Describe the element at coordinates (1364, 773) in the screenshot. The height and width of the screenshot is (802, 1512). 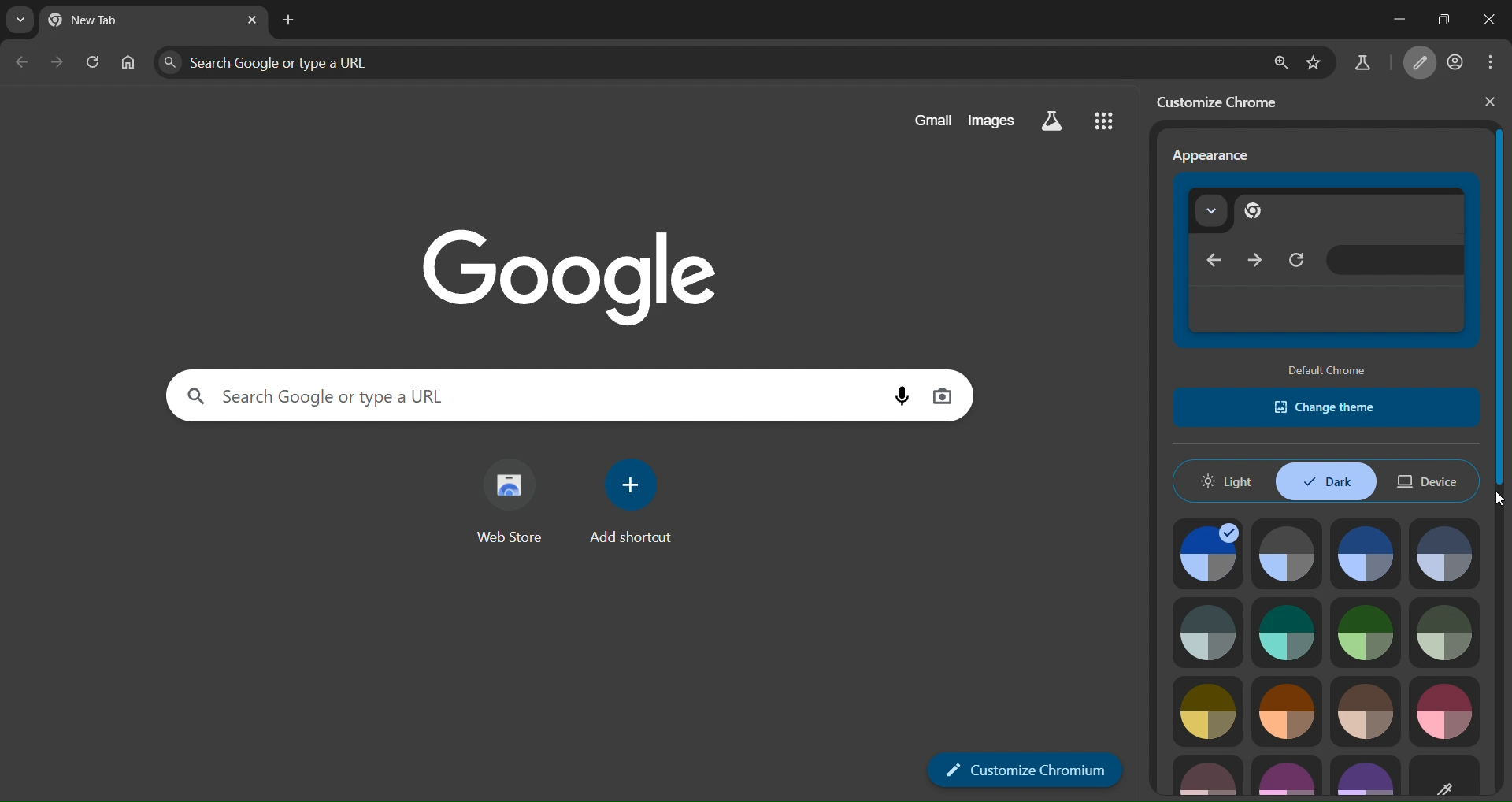
I see `theme` at that location.